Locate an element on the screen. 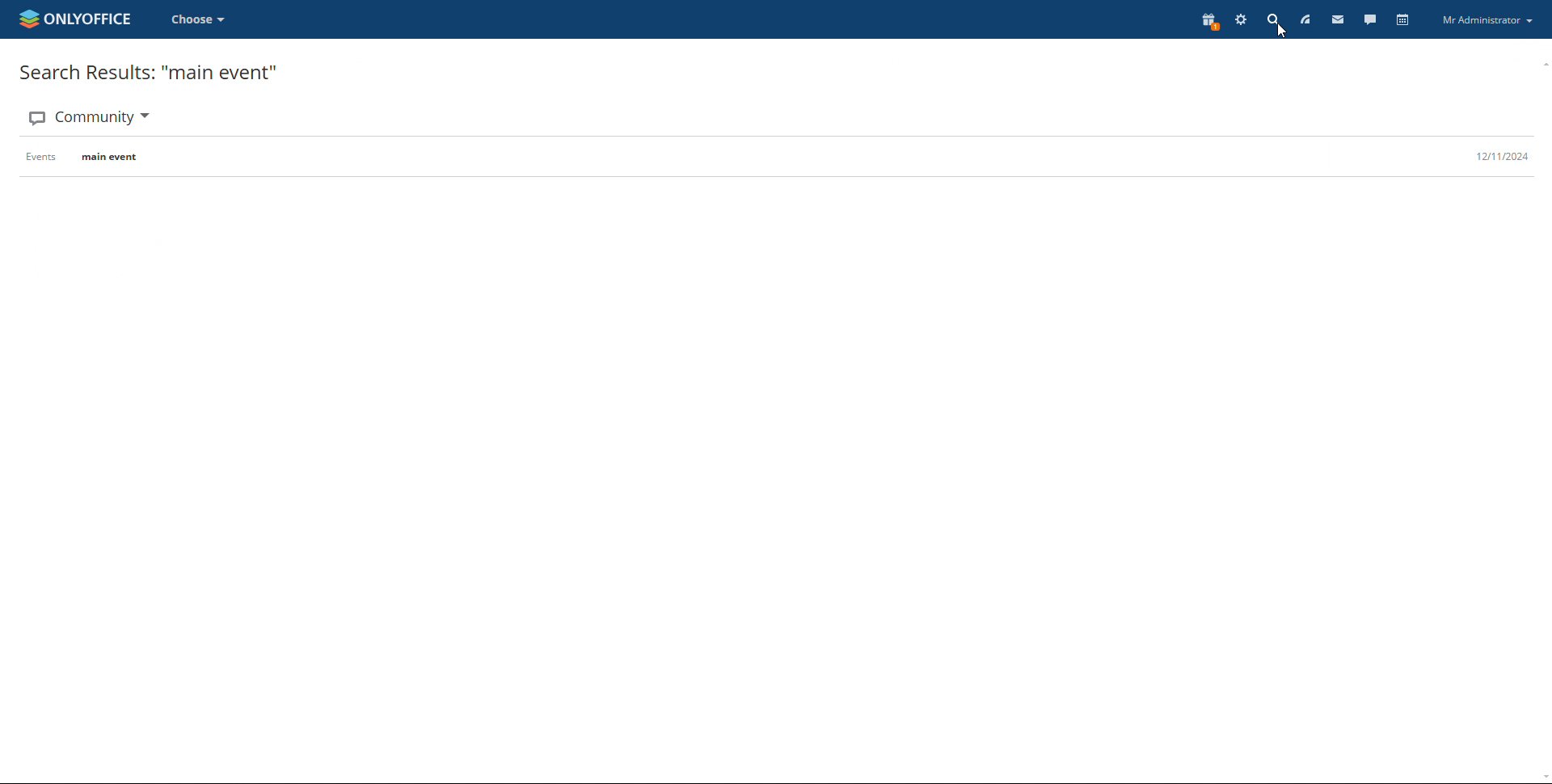 The height and width of the screenshot is (784, 1552). 12/11/2024 is located at coordinates (1437, 157).